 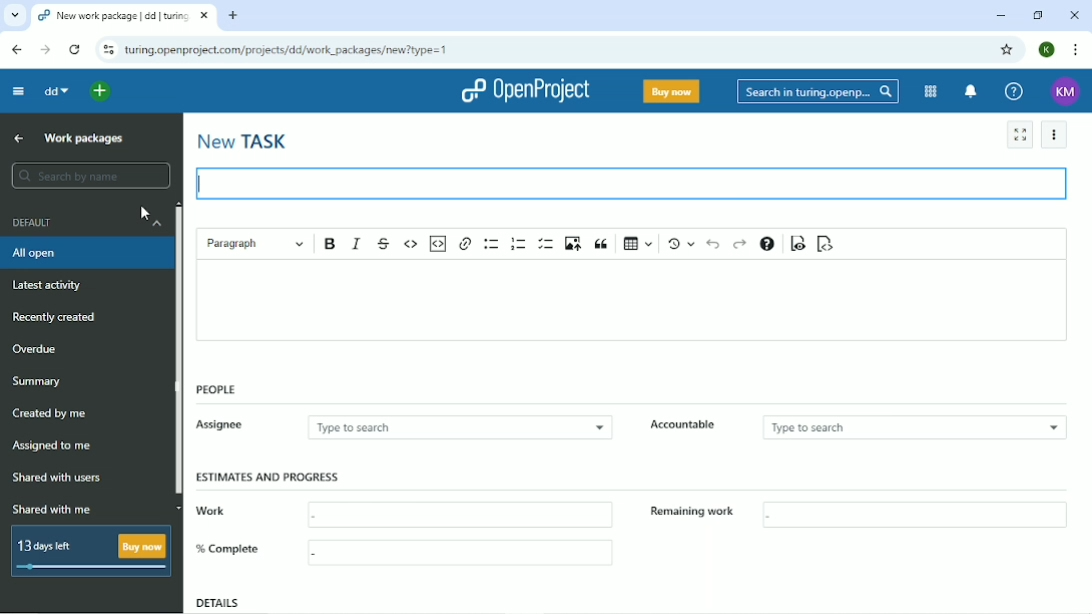 I want to click on Created by me, so click(x=49, y=414).